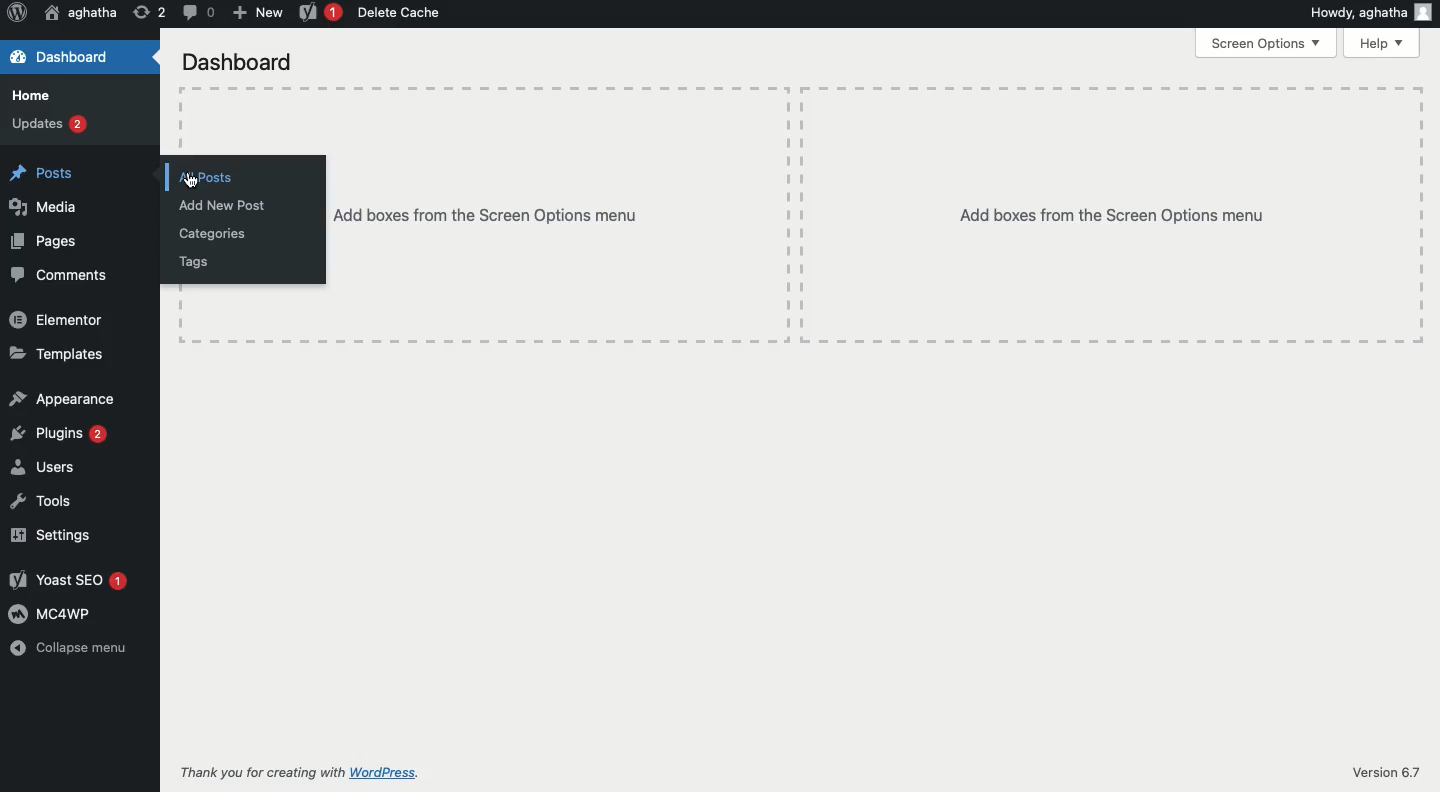  Describe the element at coordinates (71, 647) in the screenshot. I see `Collapse menu` at that location.